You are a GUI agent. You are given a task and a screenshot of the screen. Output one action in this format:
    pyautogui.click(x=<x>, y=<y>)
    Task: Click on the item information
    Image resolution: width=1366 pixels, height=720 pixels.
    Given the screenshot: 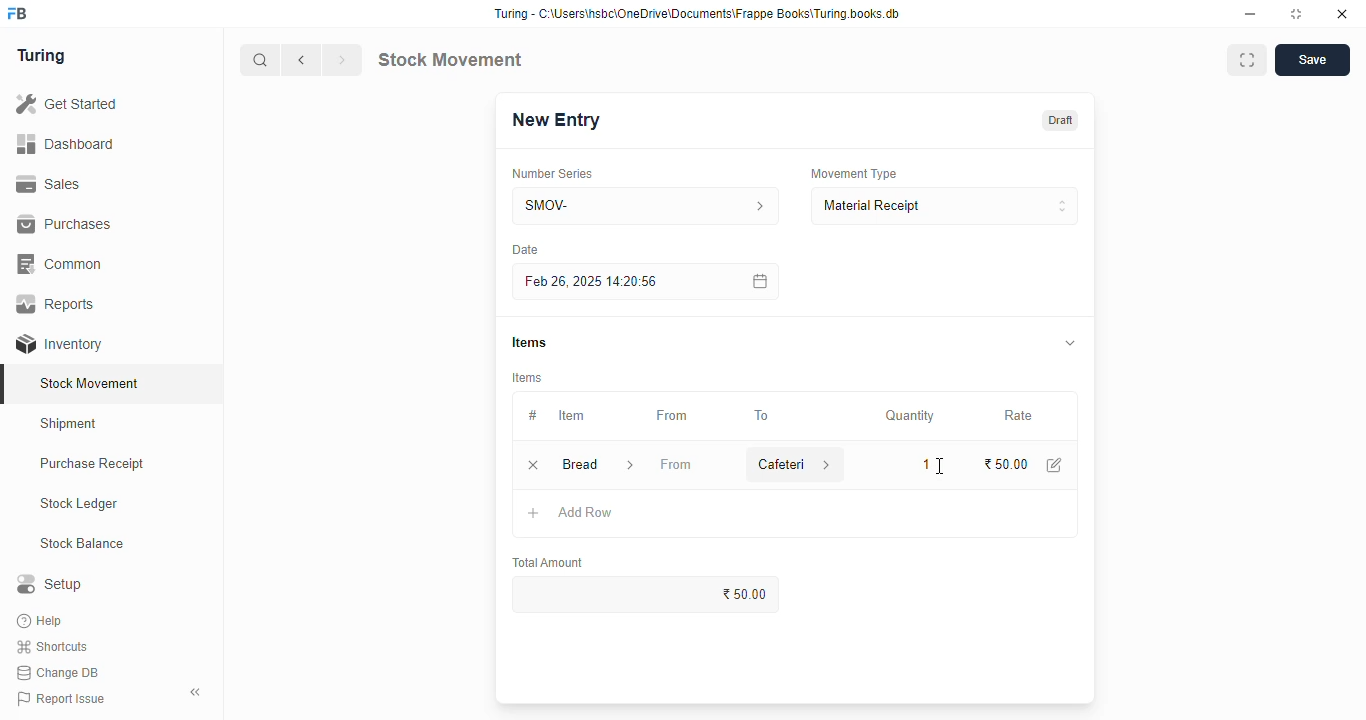 What is the action you would take?
    pyautogui.click(x=630, y=466)
    